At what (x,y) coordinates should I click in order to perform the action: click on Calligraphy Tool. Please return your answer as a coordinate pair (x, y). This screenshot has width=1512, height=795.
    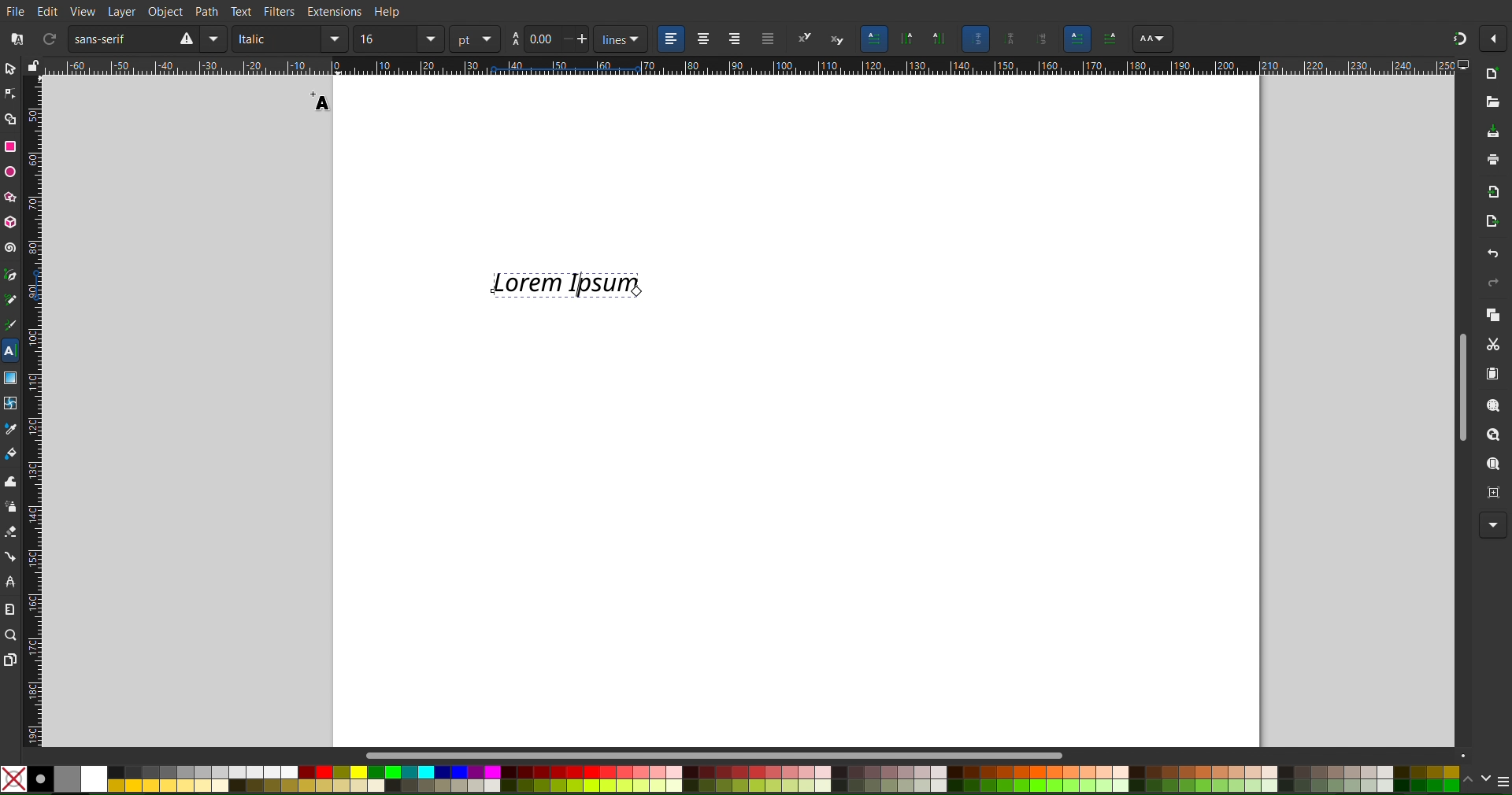
    Looking at the image, I should click on (11, 326).